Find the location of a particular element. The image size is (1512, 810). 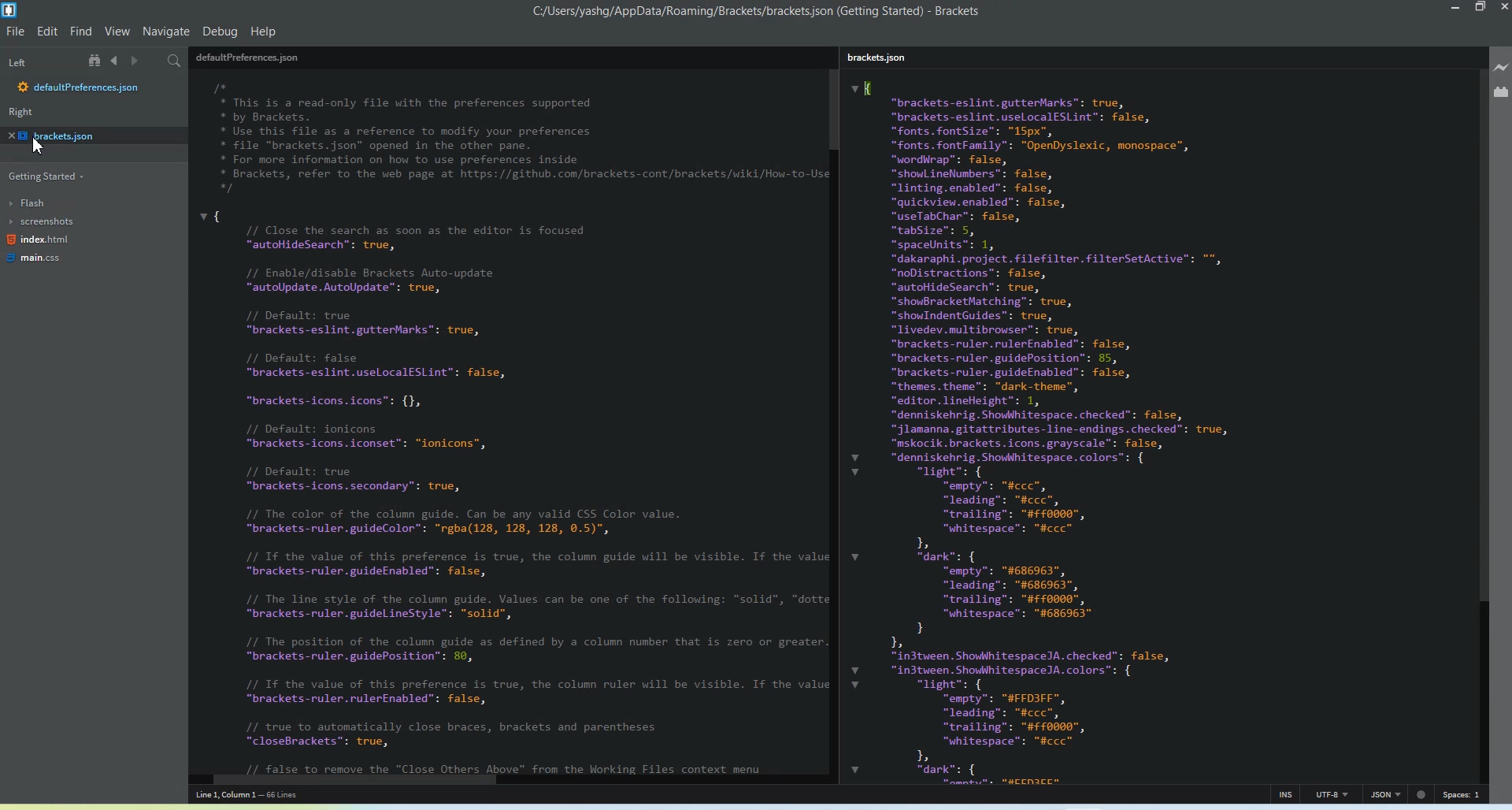

JSON is located at coordinates (1385, 793).